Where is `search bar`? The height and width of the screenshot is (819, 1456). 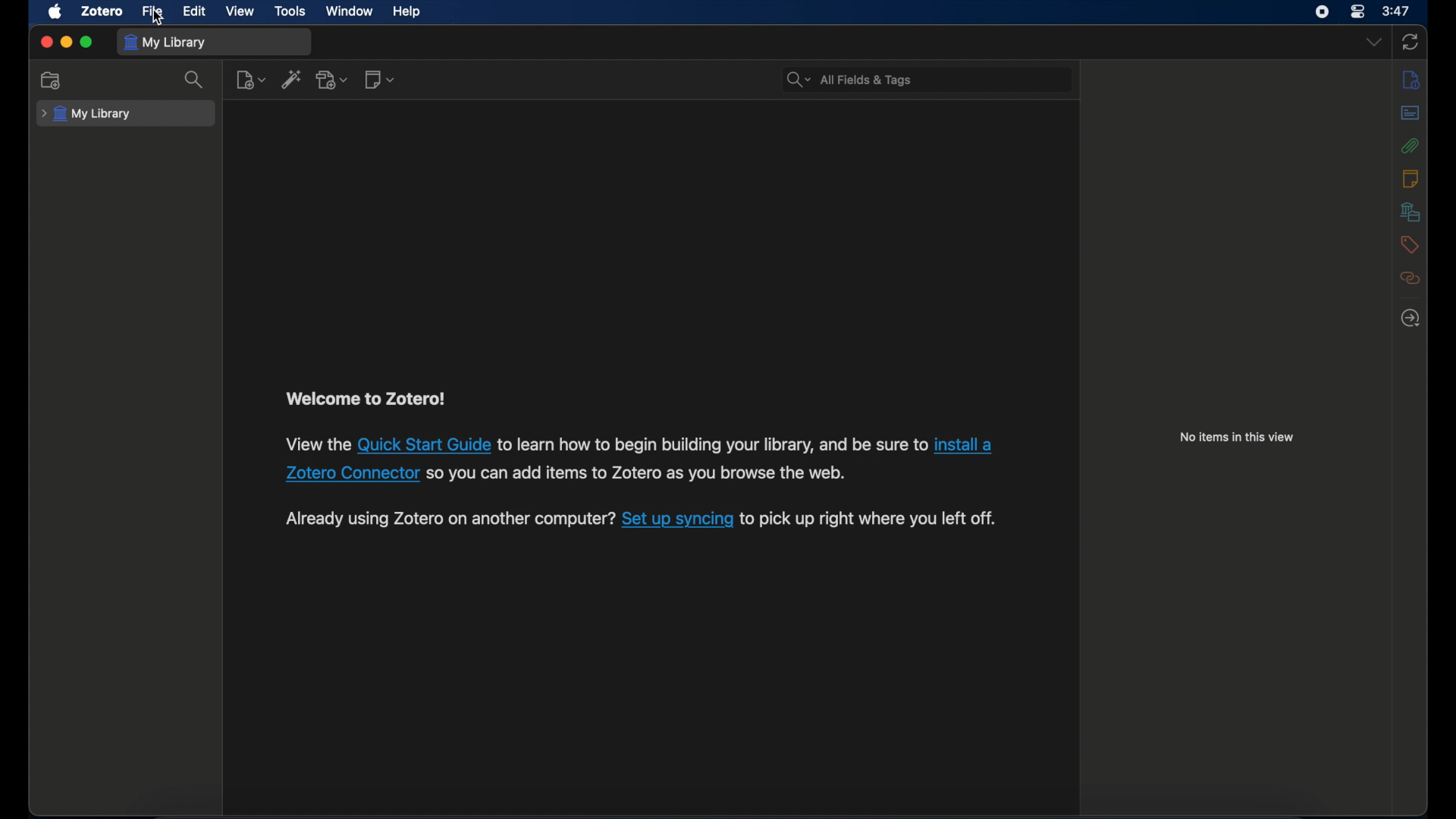 search bar is located at coordinates (849, 80).